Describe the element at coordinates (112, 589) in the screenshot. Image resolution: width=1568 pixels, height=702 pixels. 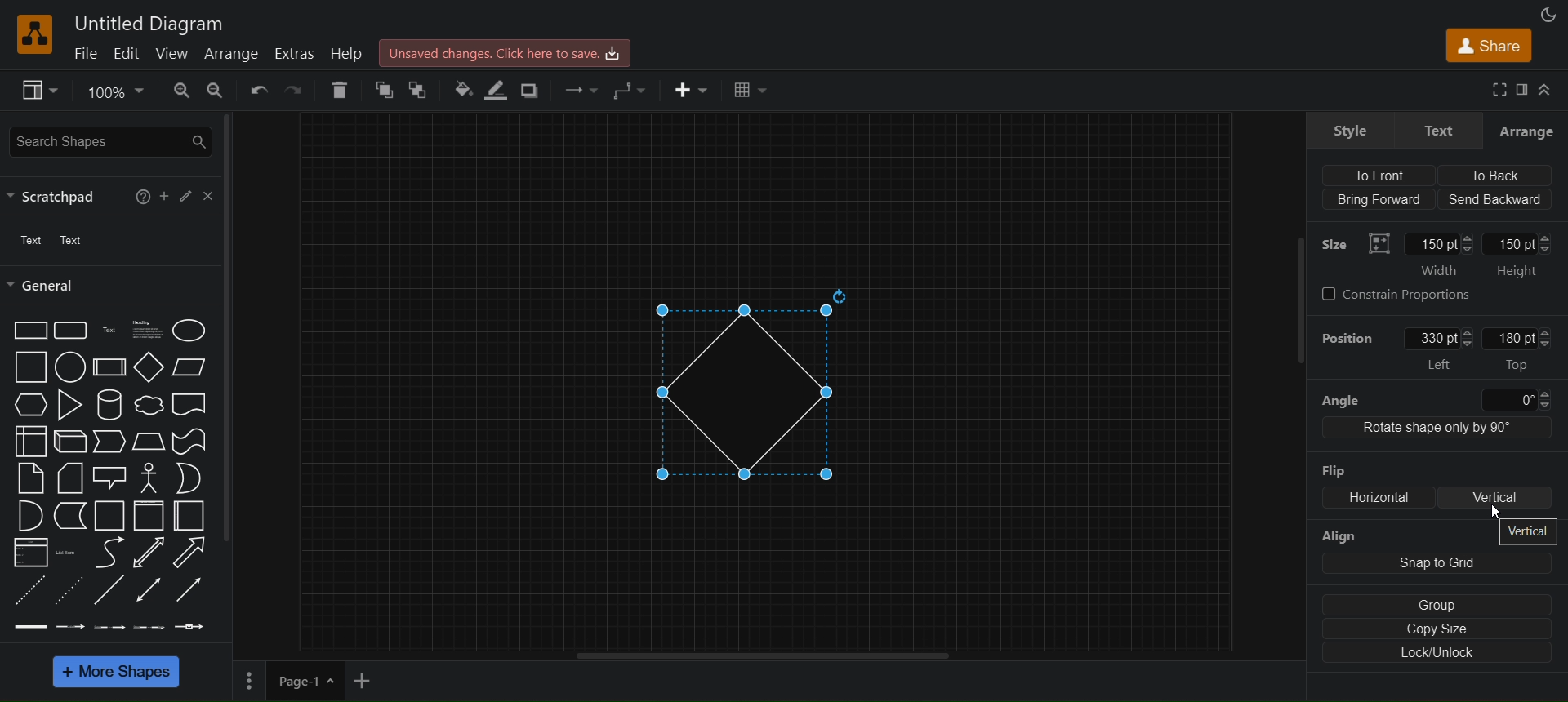
I see `line` at that location.